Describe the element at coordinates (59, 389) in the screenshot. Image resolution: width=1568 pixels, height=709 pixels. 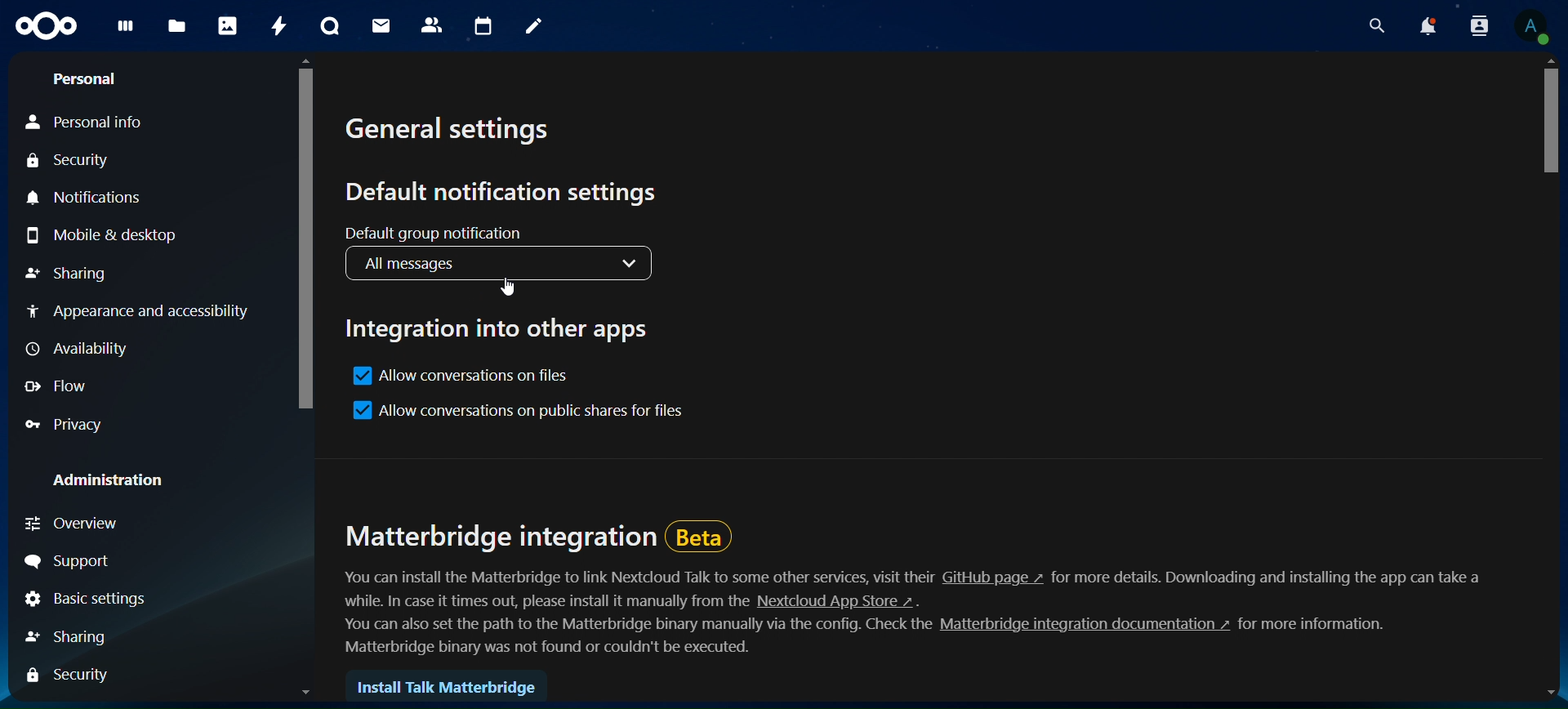
I see `flow` at that location.